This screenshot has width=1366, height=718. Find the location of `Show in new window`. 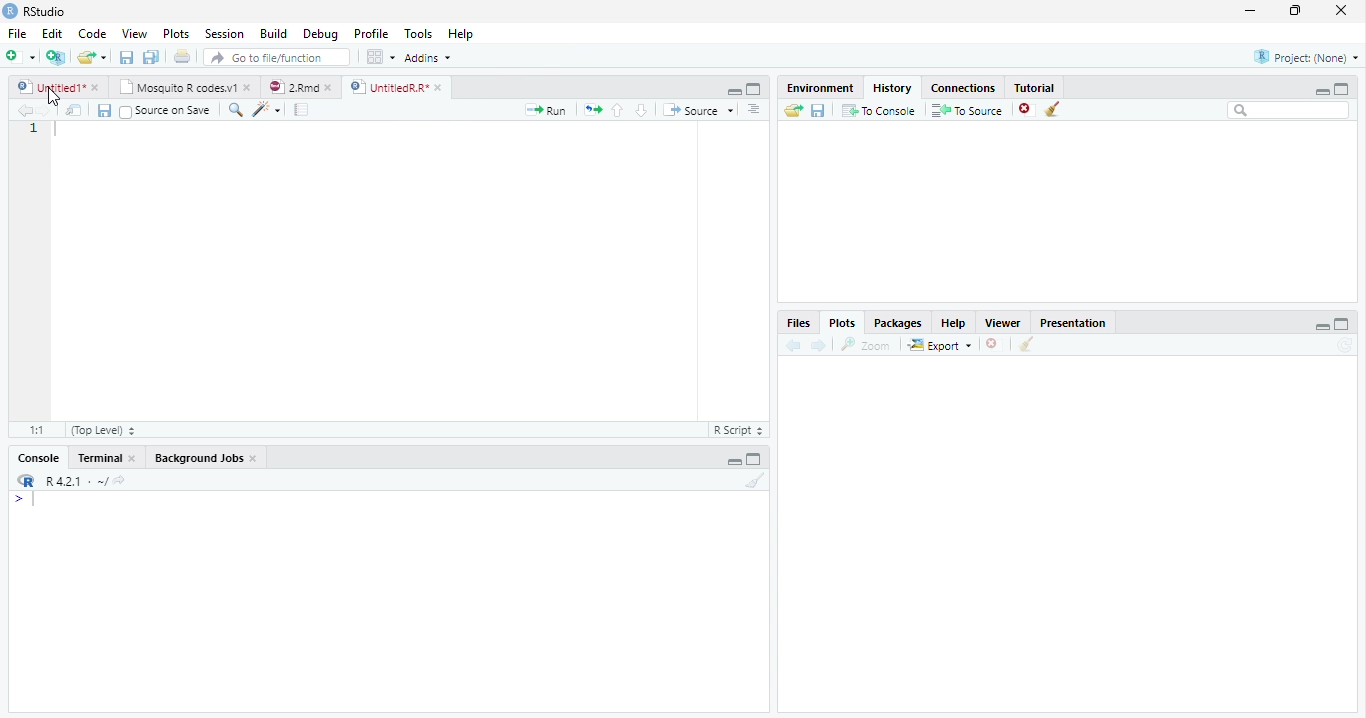

Show in new window is located at coordinates (74, 110).